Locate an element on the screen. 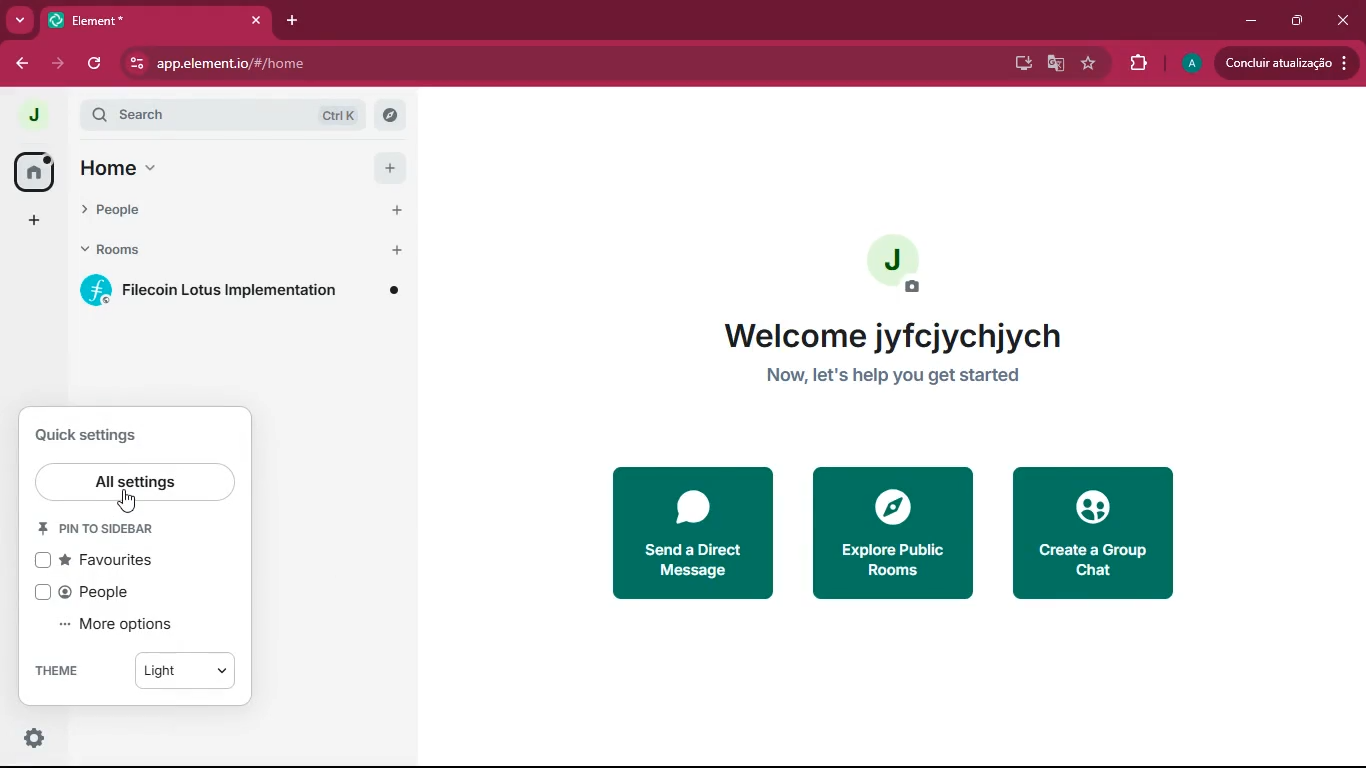 This screenshot has height=768, width=1366. settings is located at coordinates (33, 740).